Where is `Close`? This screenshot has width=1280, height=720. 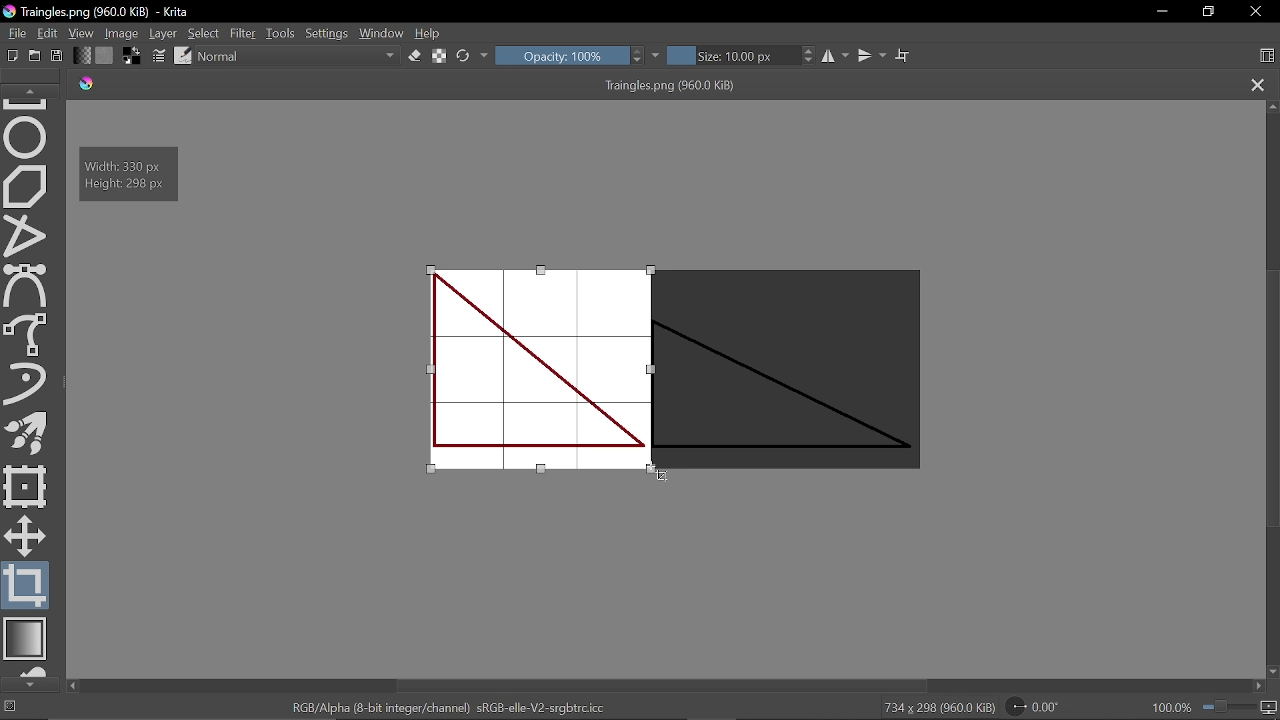 Close is located at coordinates (1258, 13).